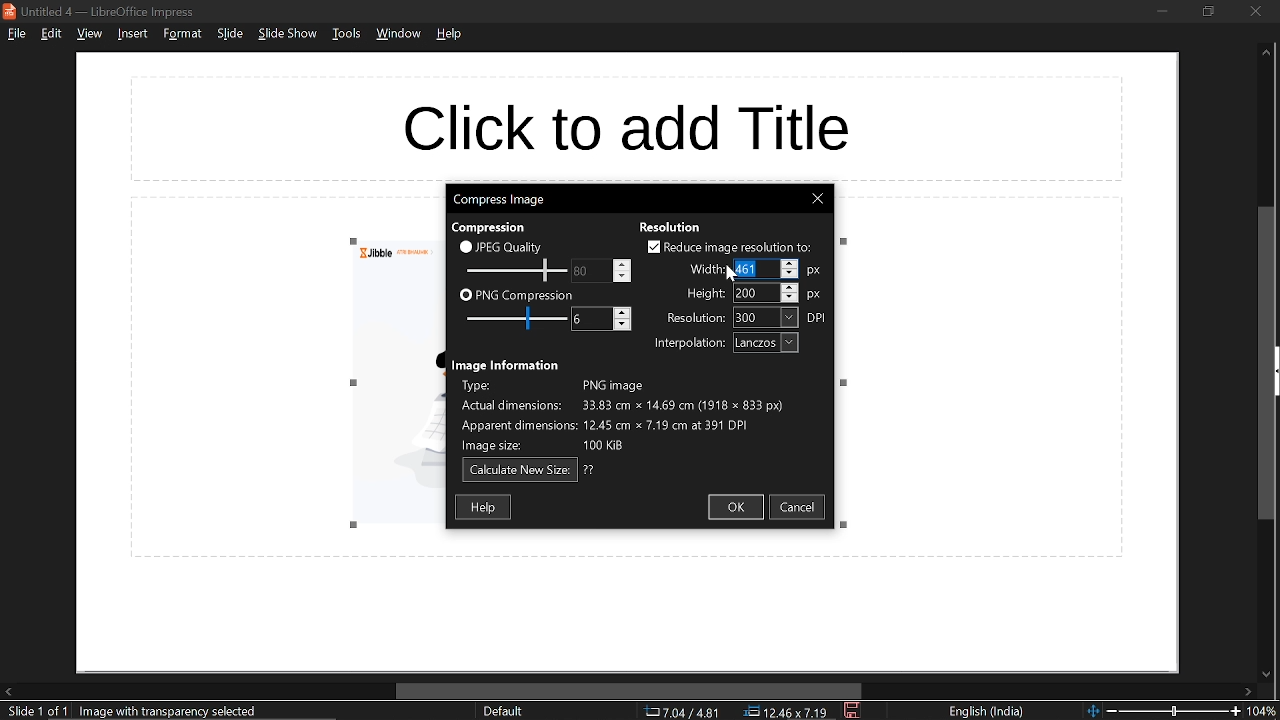  Describe the element at coordinates (512, 247) in the screenshot. I see `JPEG quality` at that location.